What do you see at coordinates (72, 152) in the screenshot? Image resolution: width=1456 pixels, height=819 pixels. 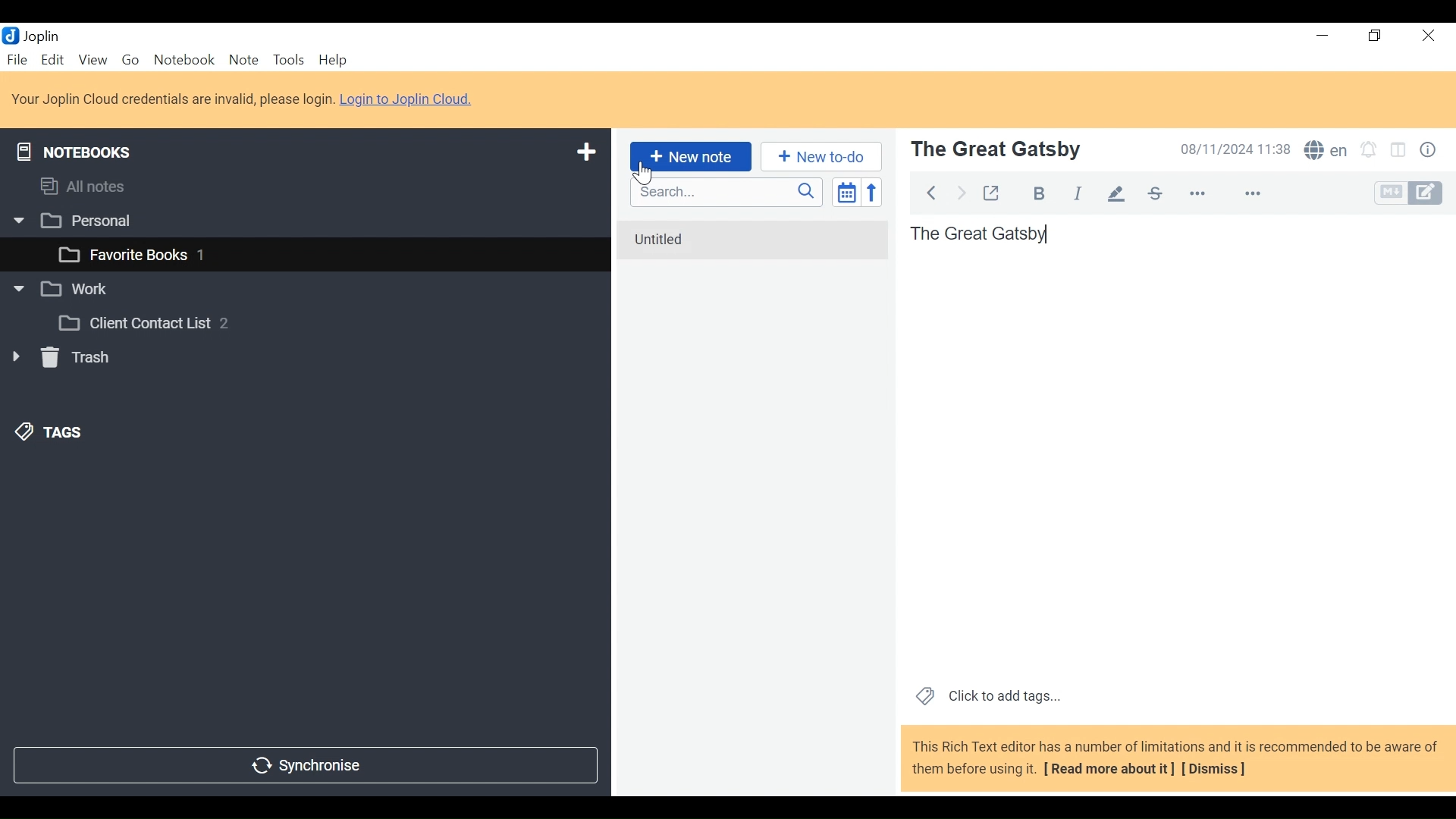 I see `Notebooks` at bounding box center [72, 152].